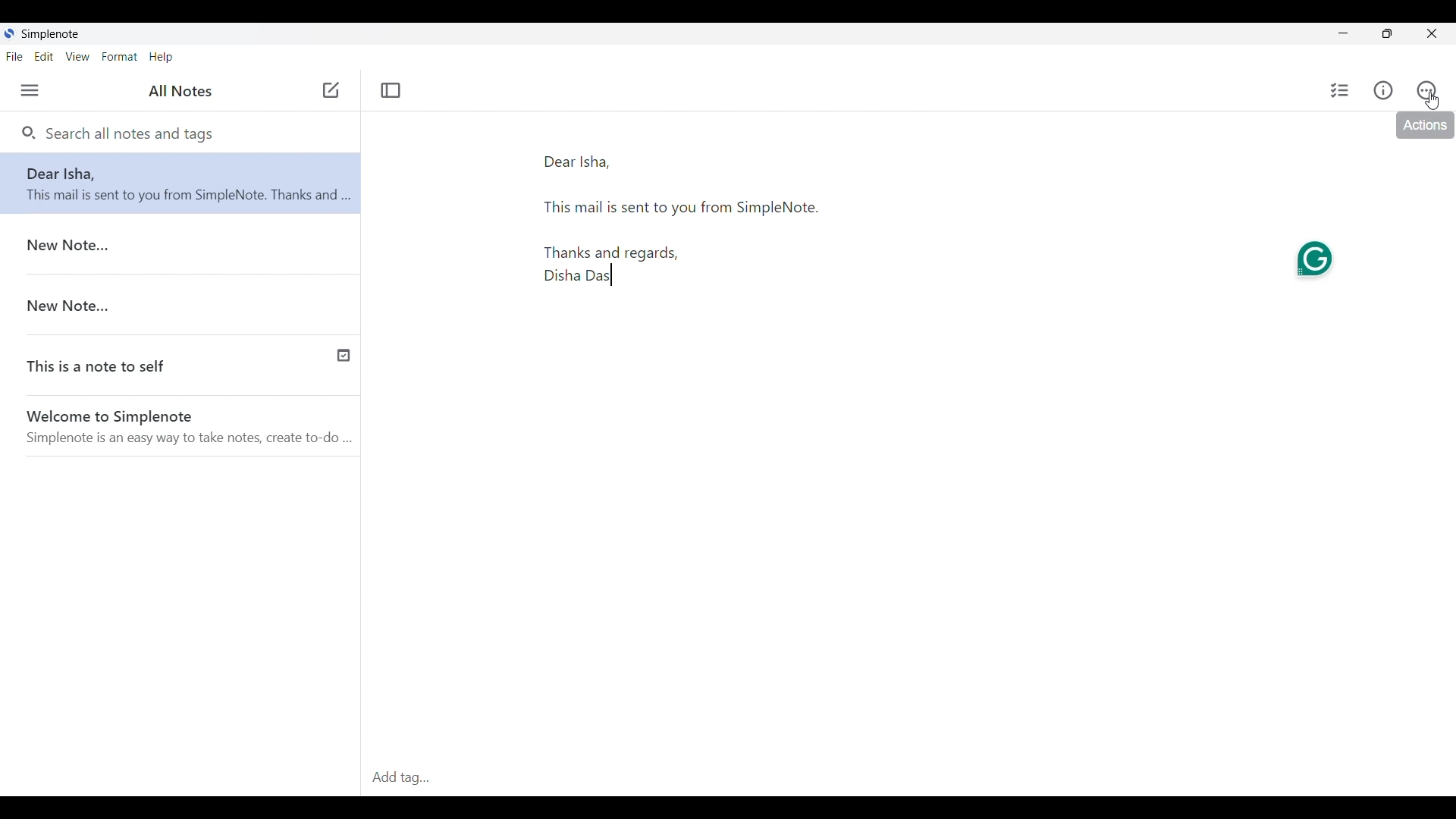 This screenshot has width=1456, height=819. Describe the element at coordinates (180, 243) in the screenshot. I see `New Note...` at that location.